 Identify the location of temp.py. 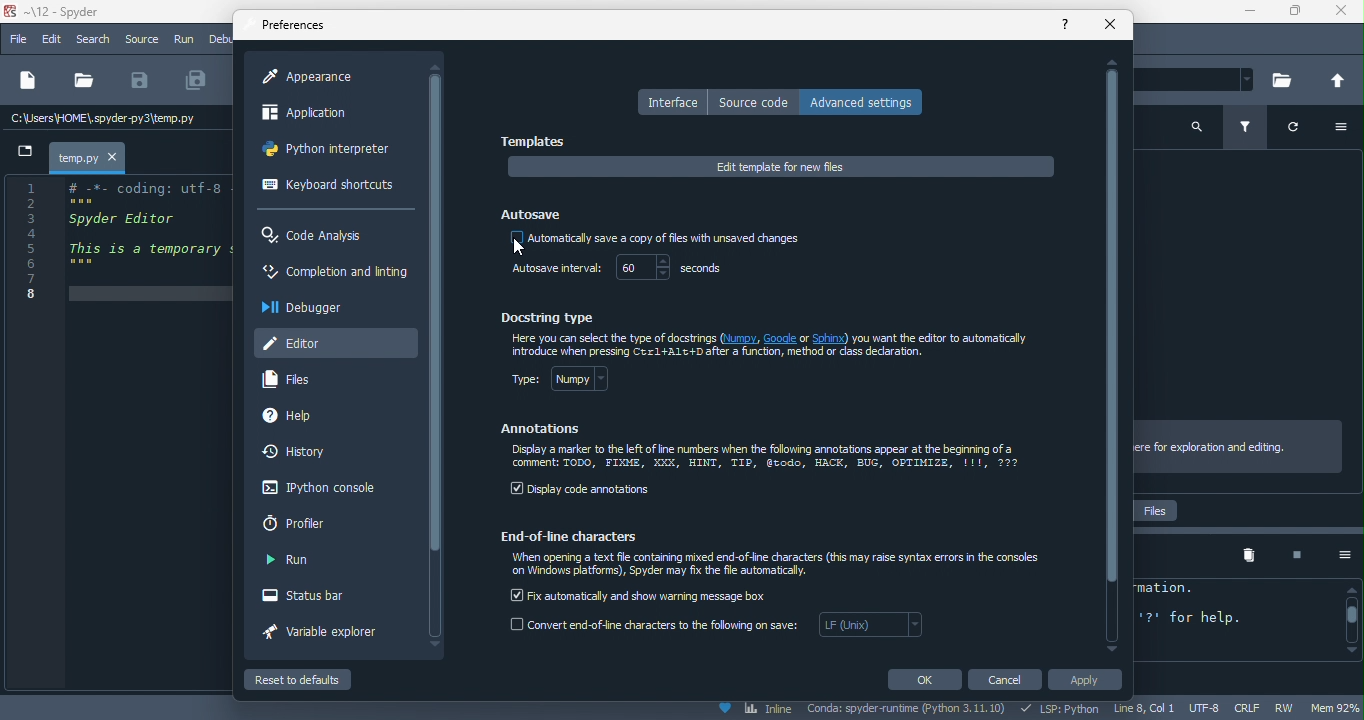
(78, 157).